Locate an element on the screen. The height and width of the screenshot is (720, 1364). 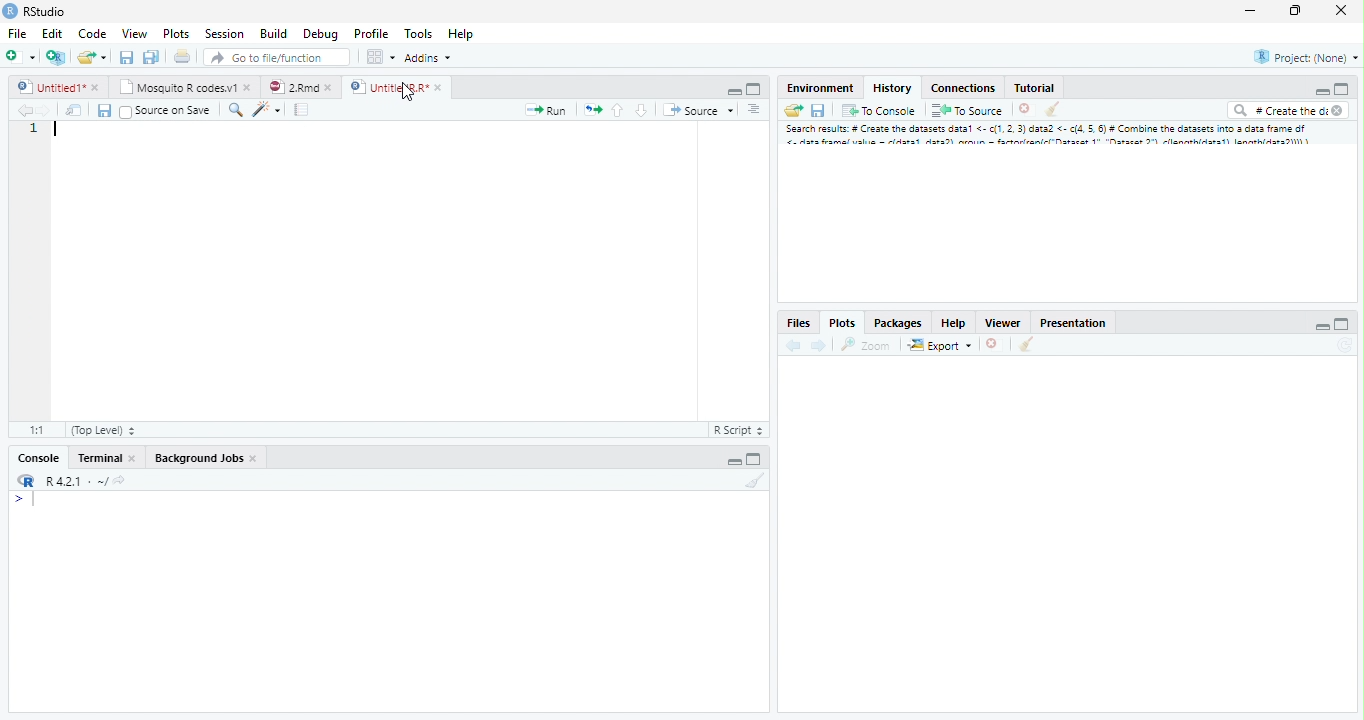
Create a new file is located at coordinates (94, 57).